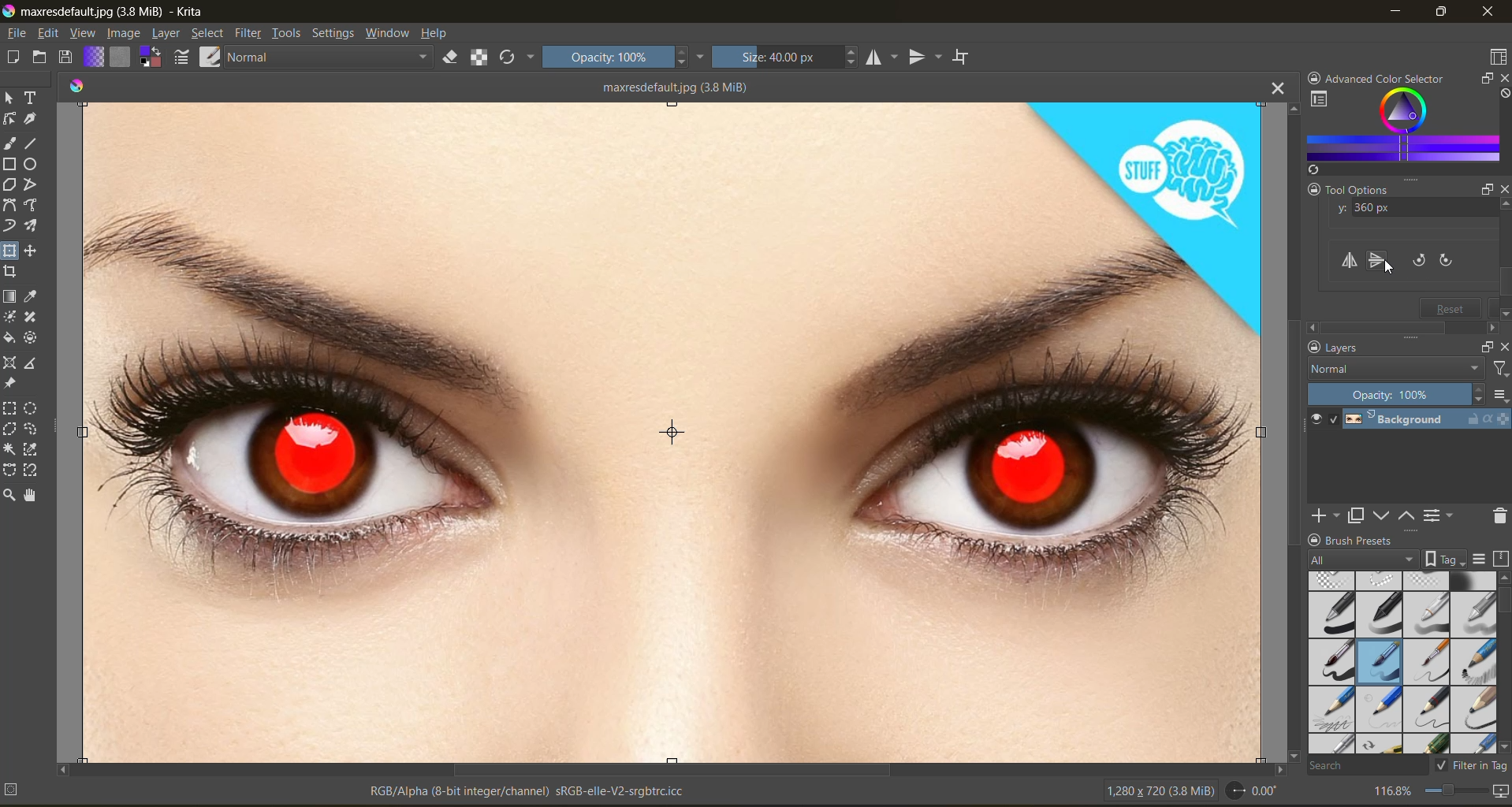 The width and height of the screenshot is (1512, 807). I want to click on maximize, so click(1448, 14).